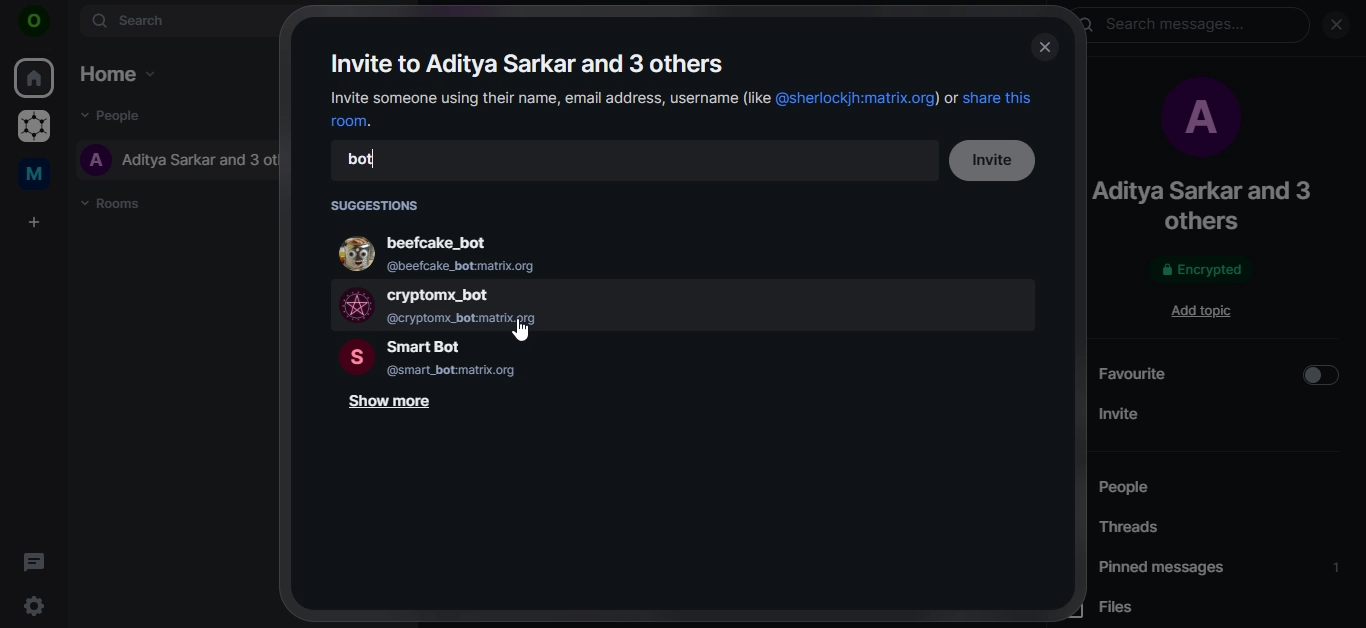 The image size is (1366, 628). I want to click on aditya sarkar and 3 others, so click(185, 160).